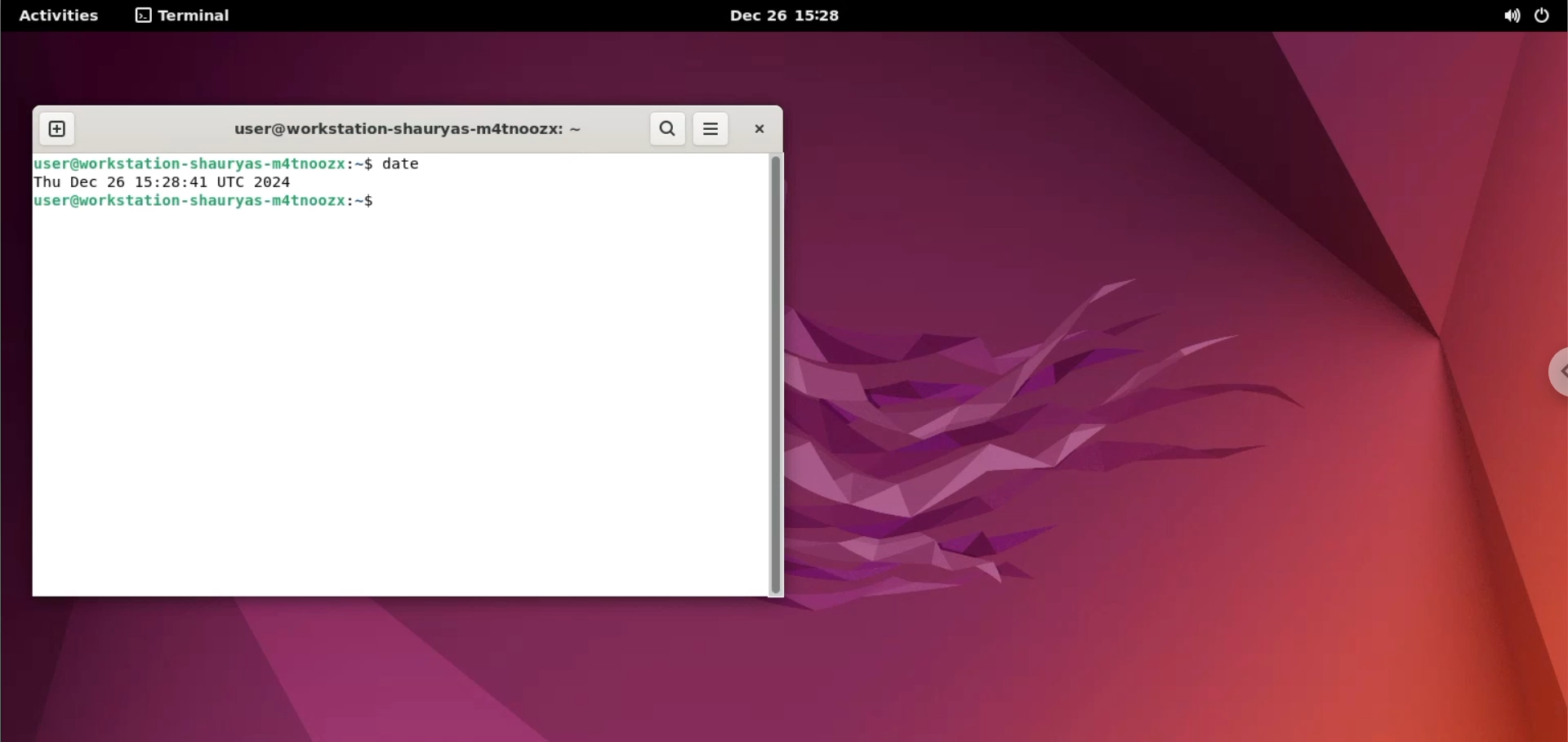 The image size is (1568, 742). I want to click on user@workstation-shauryas-m4tnoozx: ~, so click(401, 130).